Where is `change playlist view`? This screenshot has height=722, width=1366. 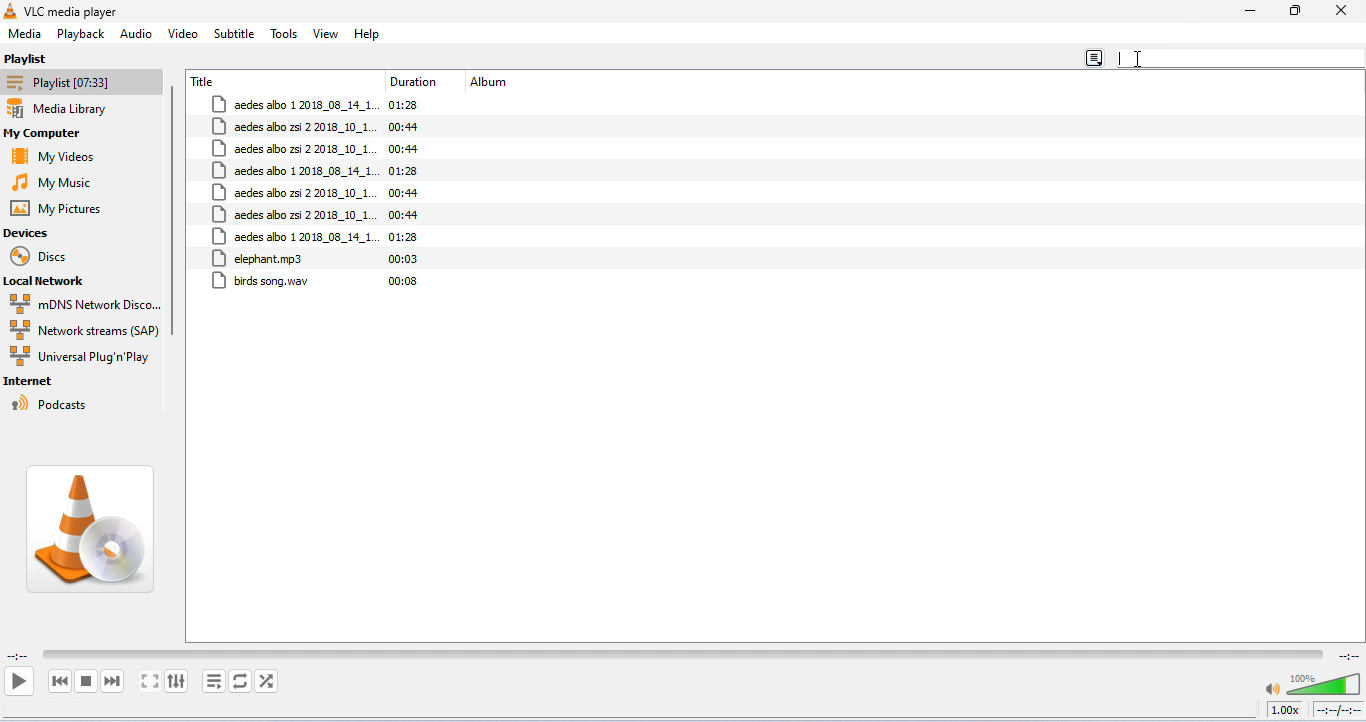
change playlist view is located at coordinates (1095, 55).